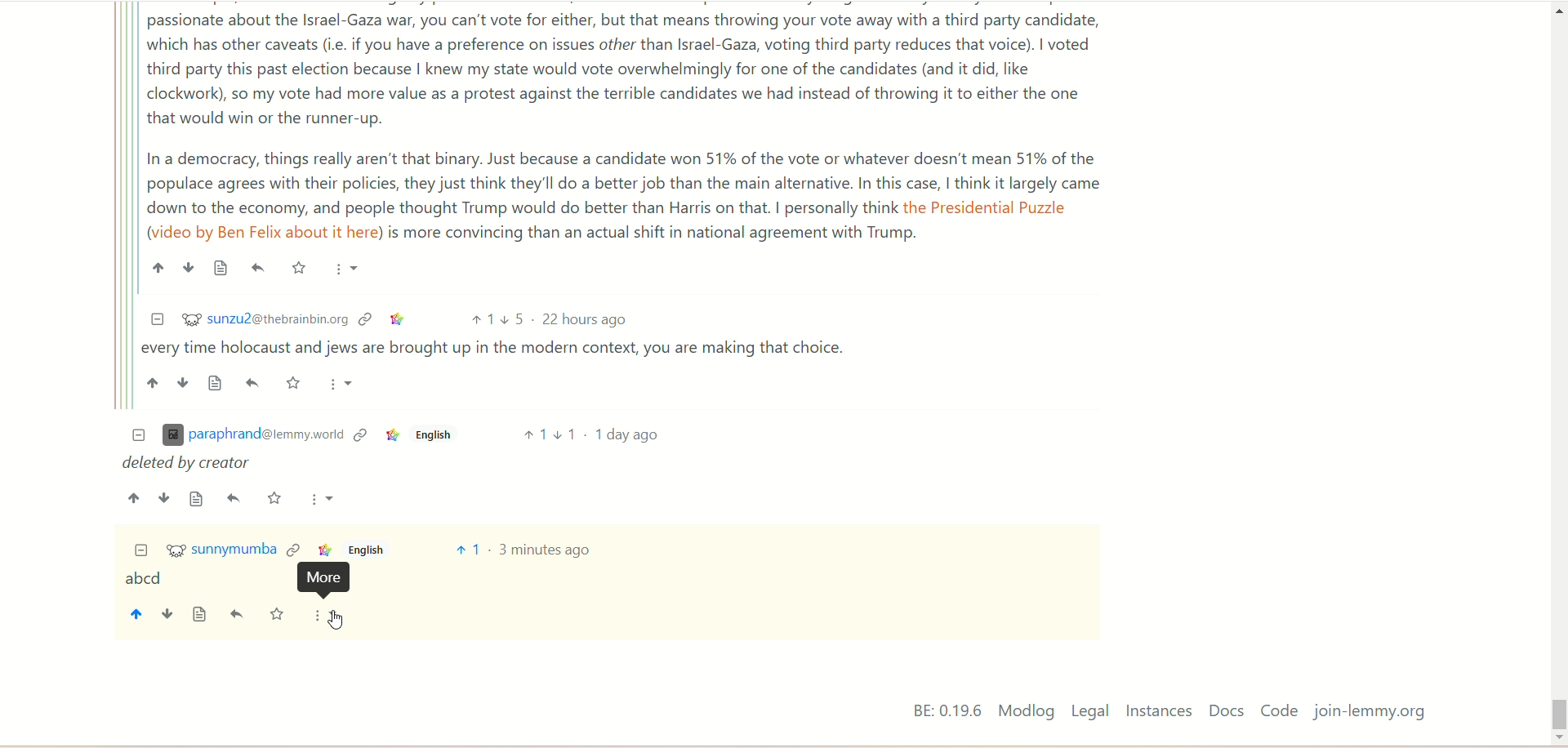  I want to click on Reply, so click(255, 383).